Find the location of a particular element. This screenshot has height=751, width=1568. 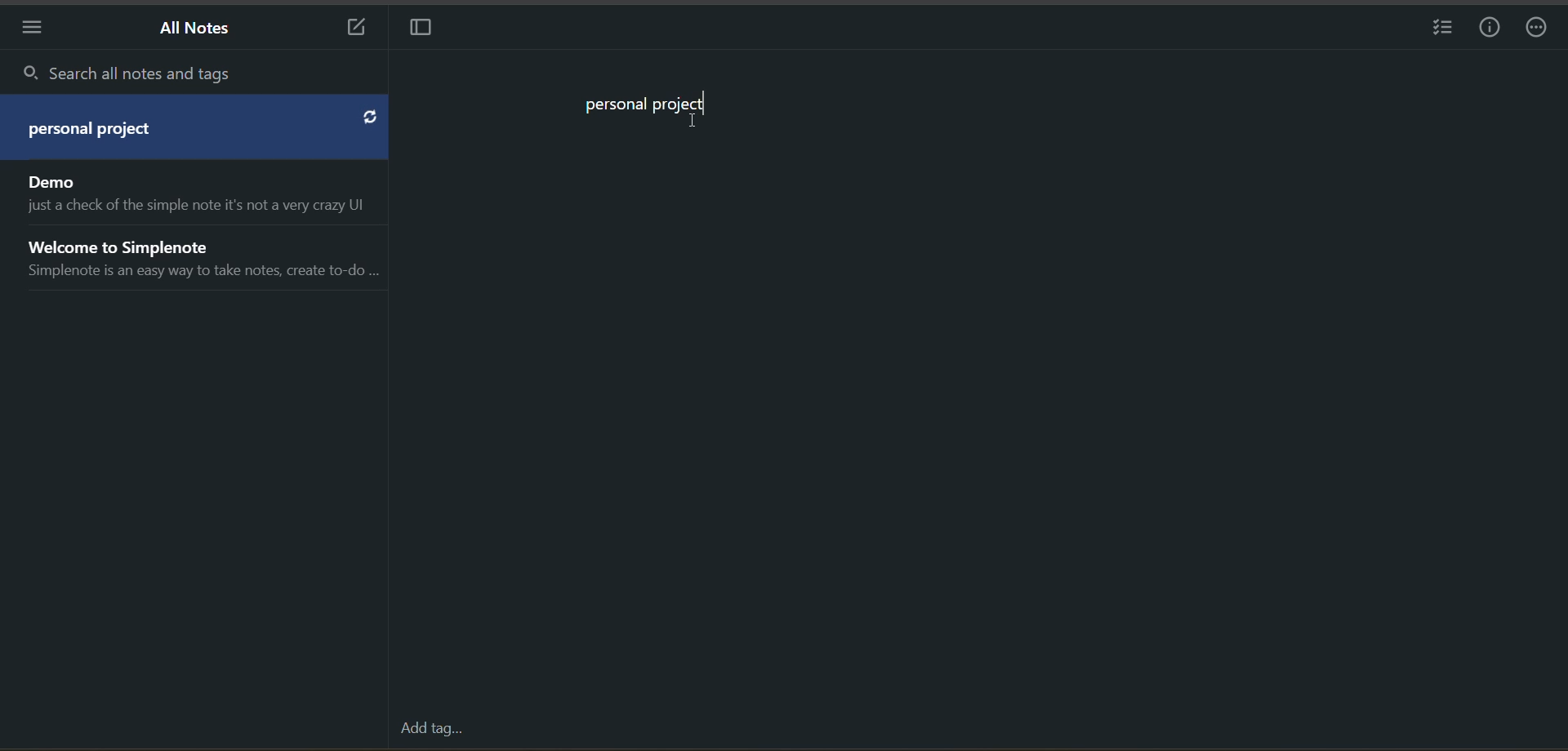

info is located at coordinates (1493, 29).